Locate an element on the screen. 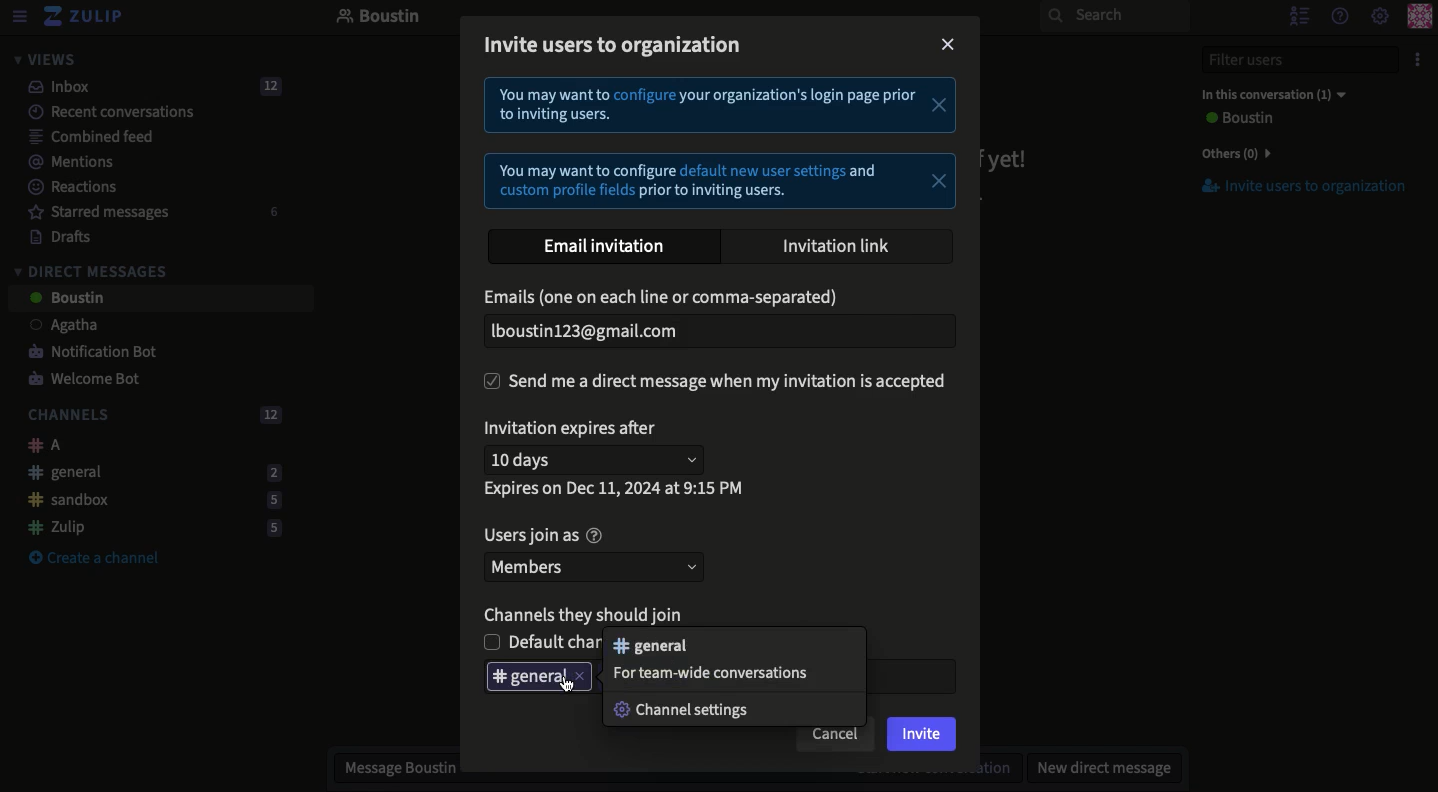 The height and width of the screenshot is (792, 1438). Deleting general is located at coordinates (527, 677).